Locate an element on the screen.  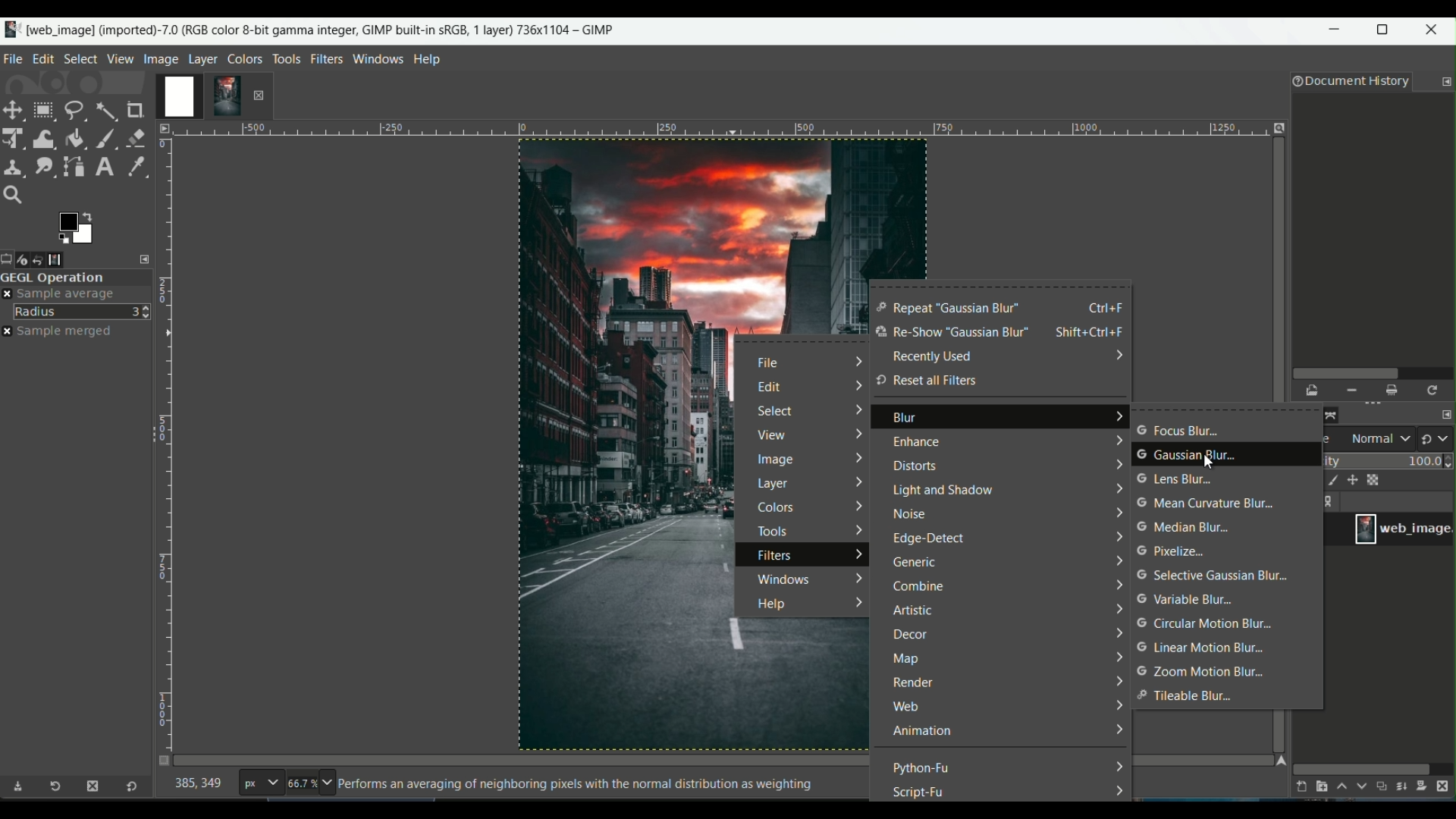
free select tool is located at coordinates (74, 108).